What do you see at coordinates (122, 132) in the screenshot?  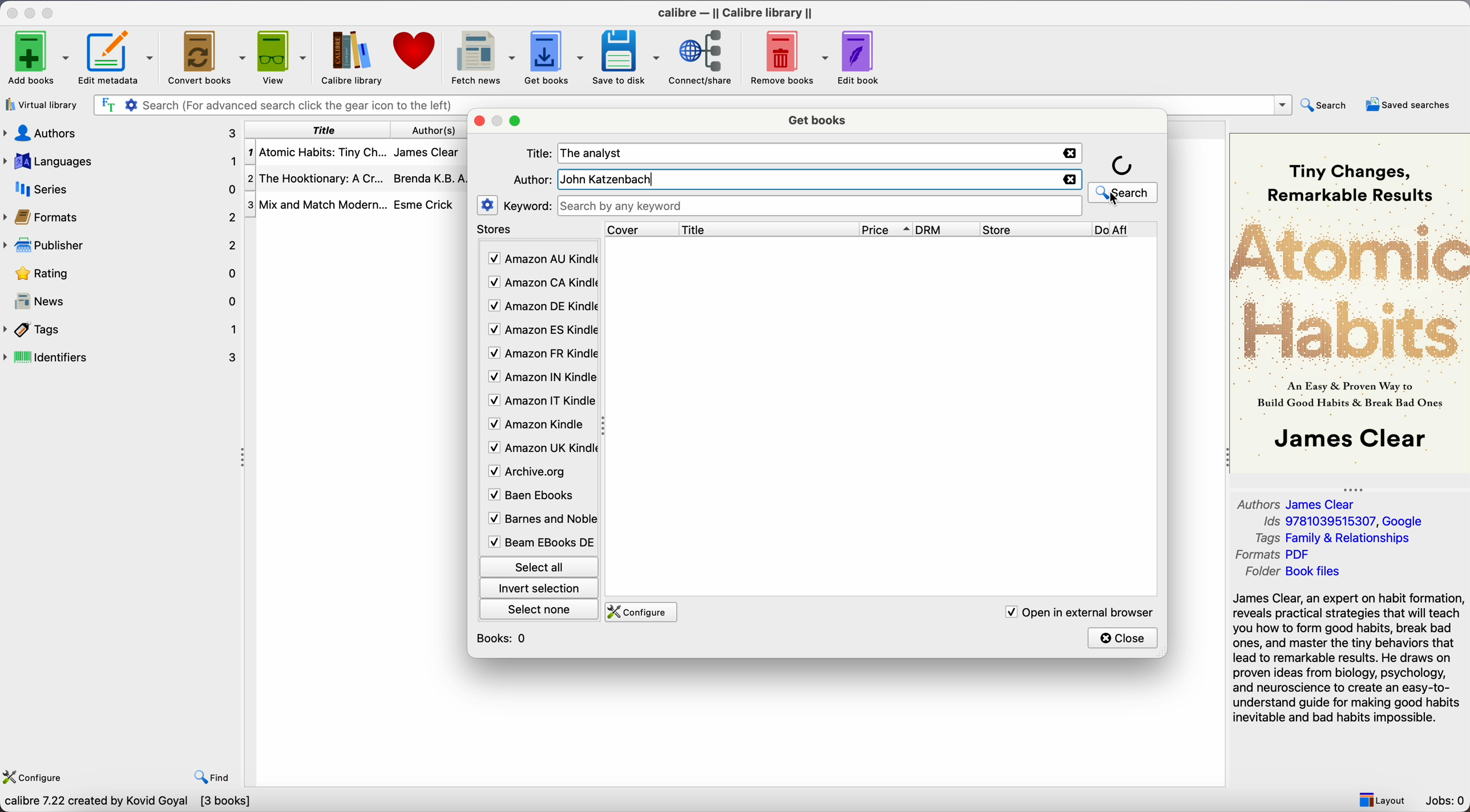 I see `authors` at bounding box center [122, 132].